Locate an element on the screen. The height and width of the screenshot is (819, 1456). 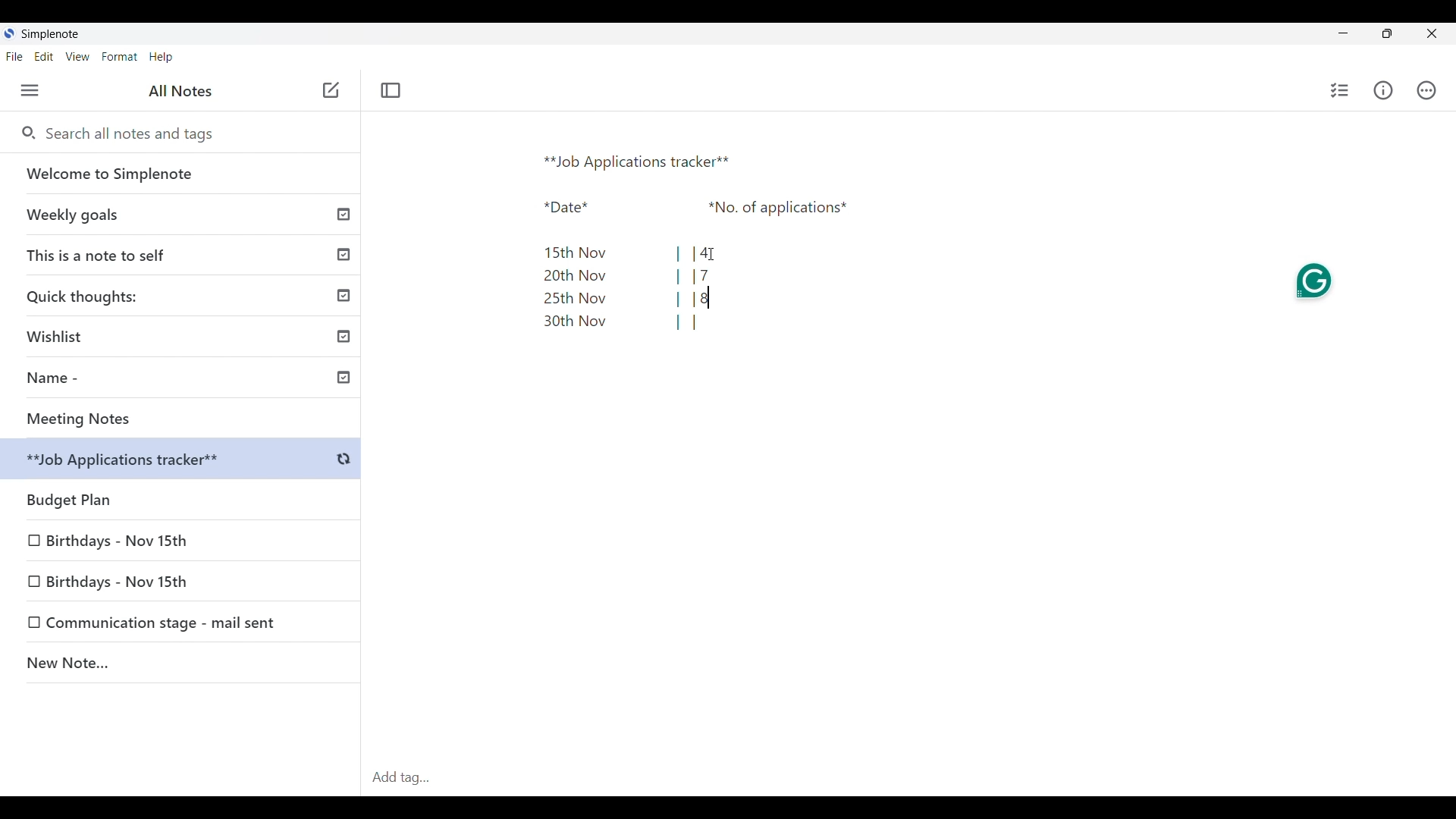
Minimize is located at coordinates (1343, 33).